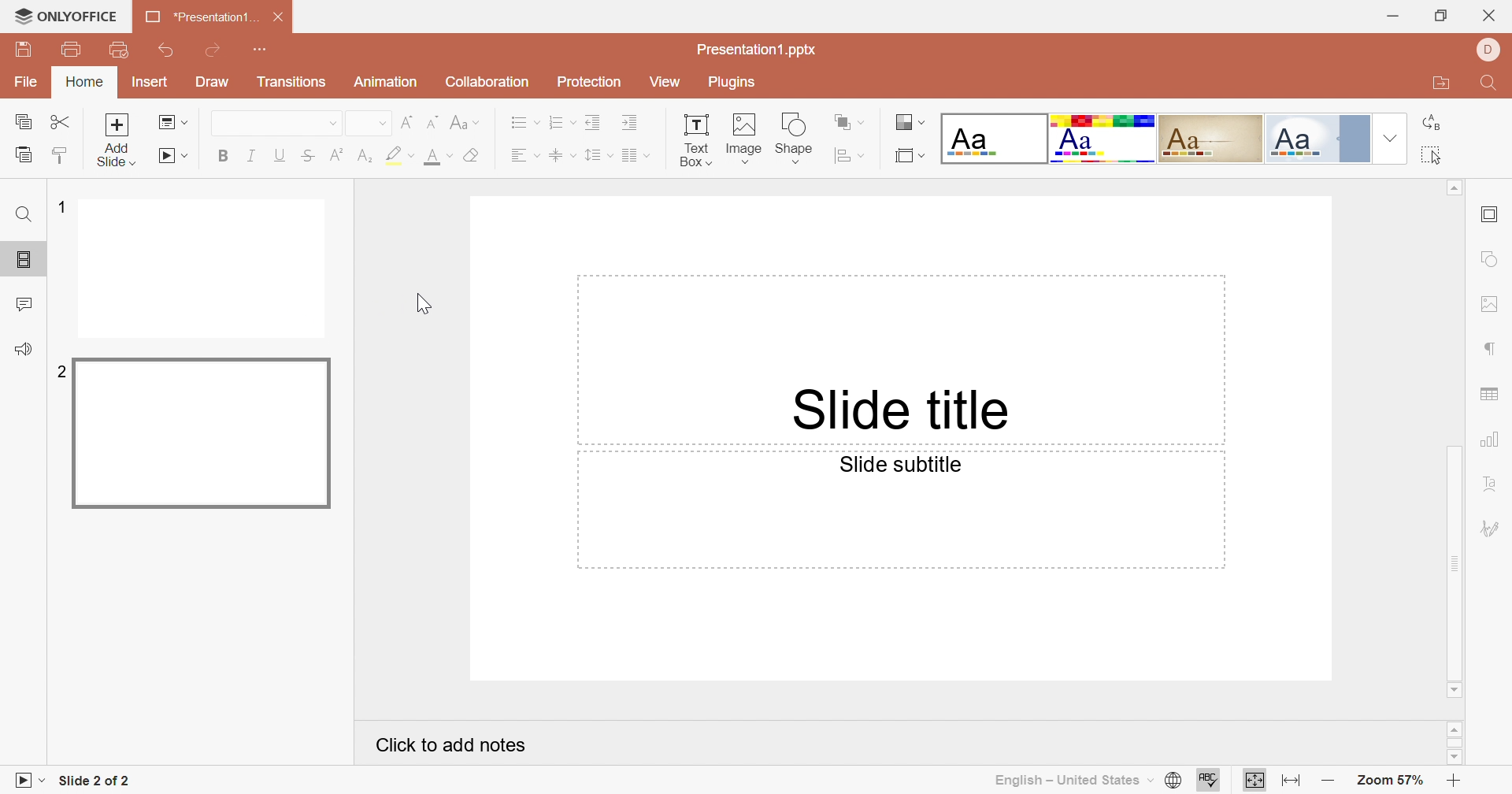 The width and height of the screenshot is (1512, 794). Describe the element at coordinates (758, 50) in the screenshot. I see `Presentation1.pptx` at that location.